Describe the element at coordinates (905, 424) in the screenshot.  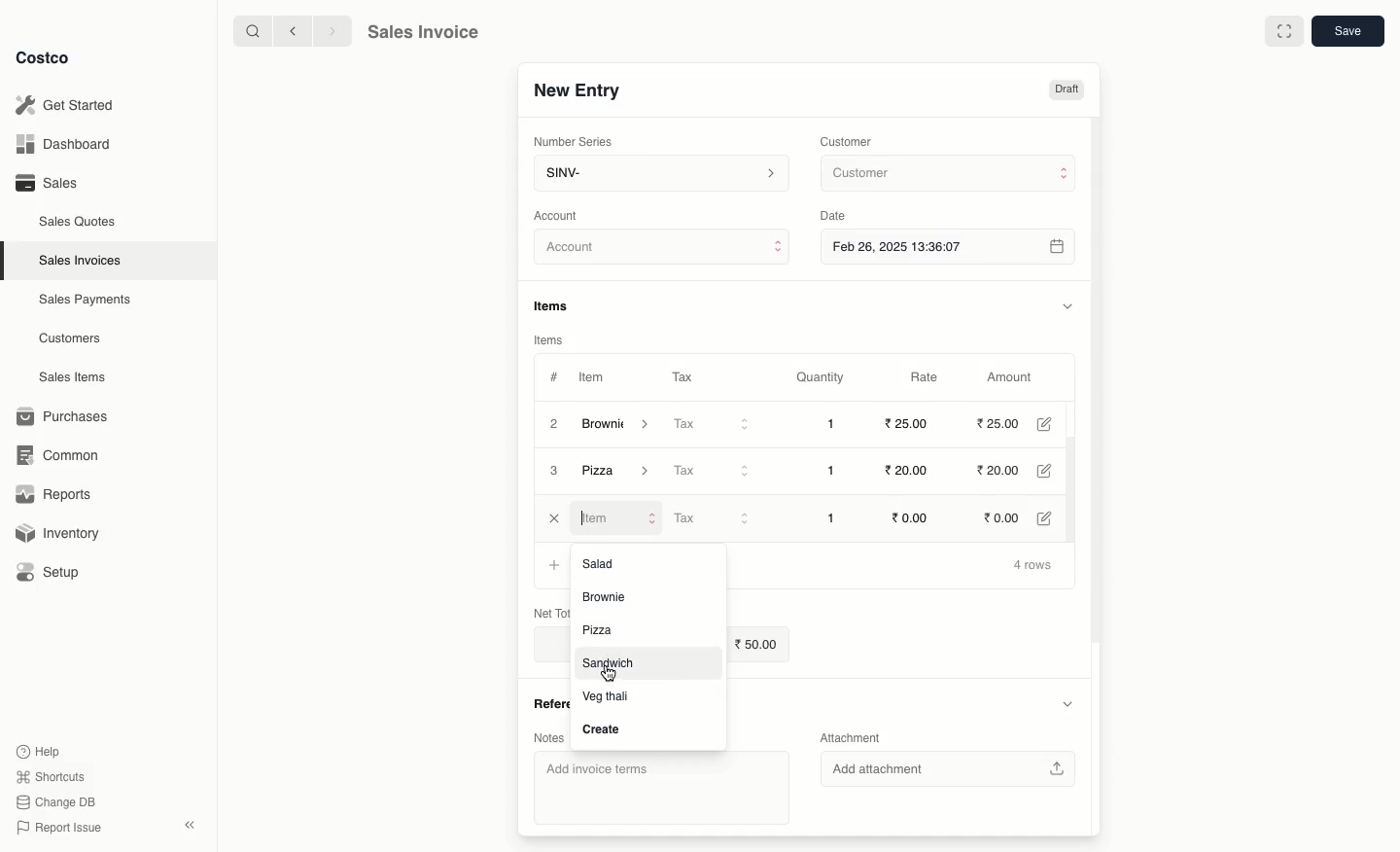
I see `25.00` at that location.